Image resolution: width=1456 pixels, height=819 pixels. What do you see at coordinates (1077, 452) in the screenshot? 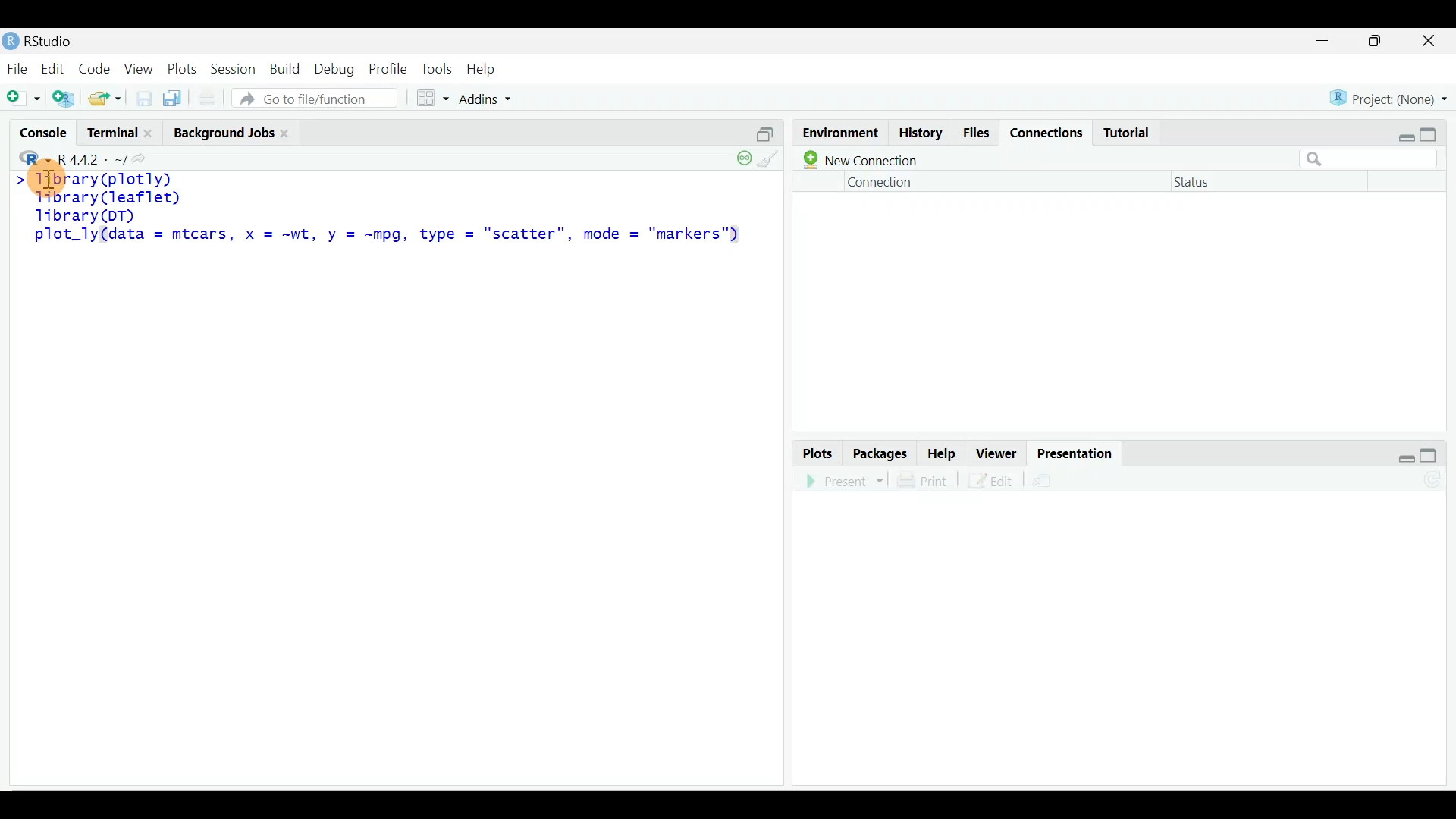
I see `Presentation` at bounding box center [1077, 452].